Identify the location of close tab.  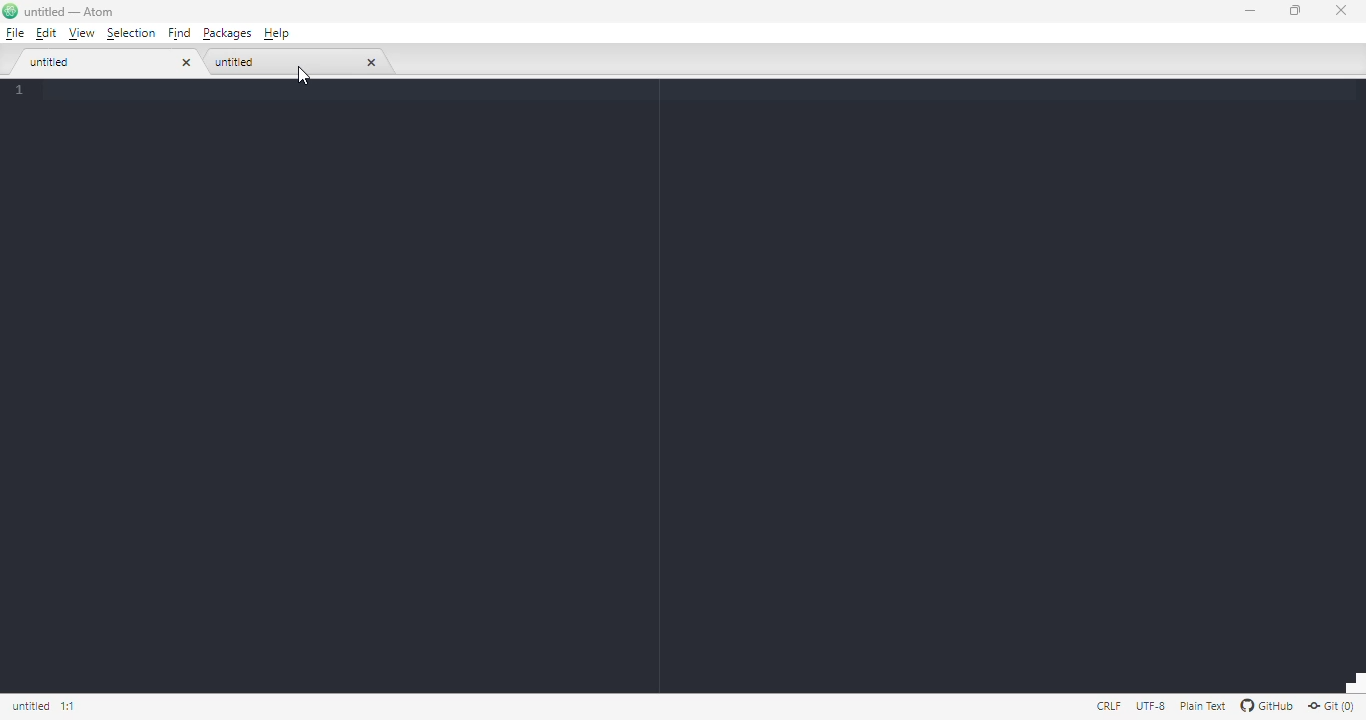
(187, 63).